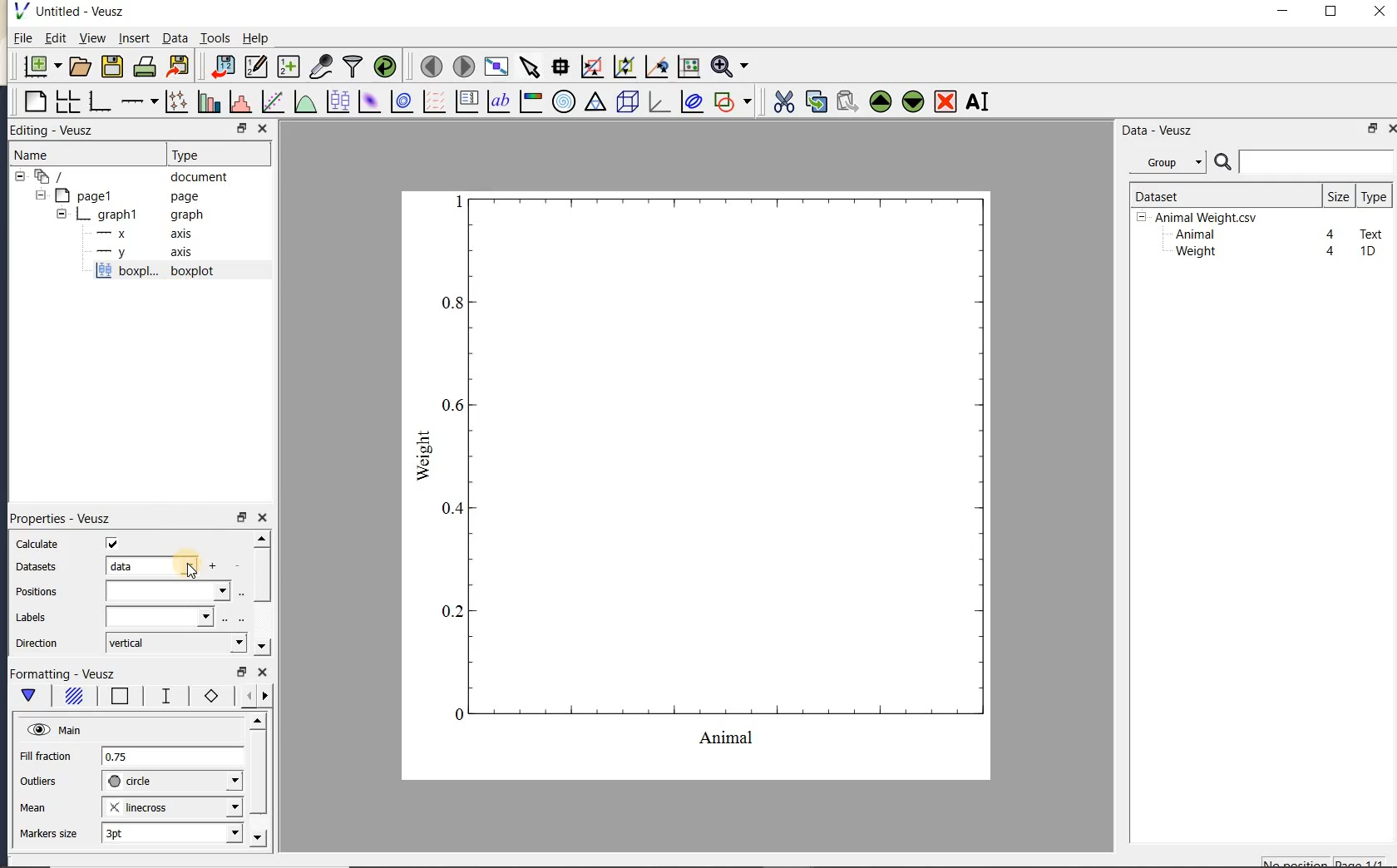 The width and height of the screenshot is (1397, 868). What do you see at coordinates (1338, 195) in the screenshot?
I see `size` at bounding box center [1338, 195].